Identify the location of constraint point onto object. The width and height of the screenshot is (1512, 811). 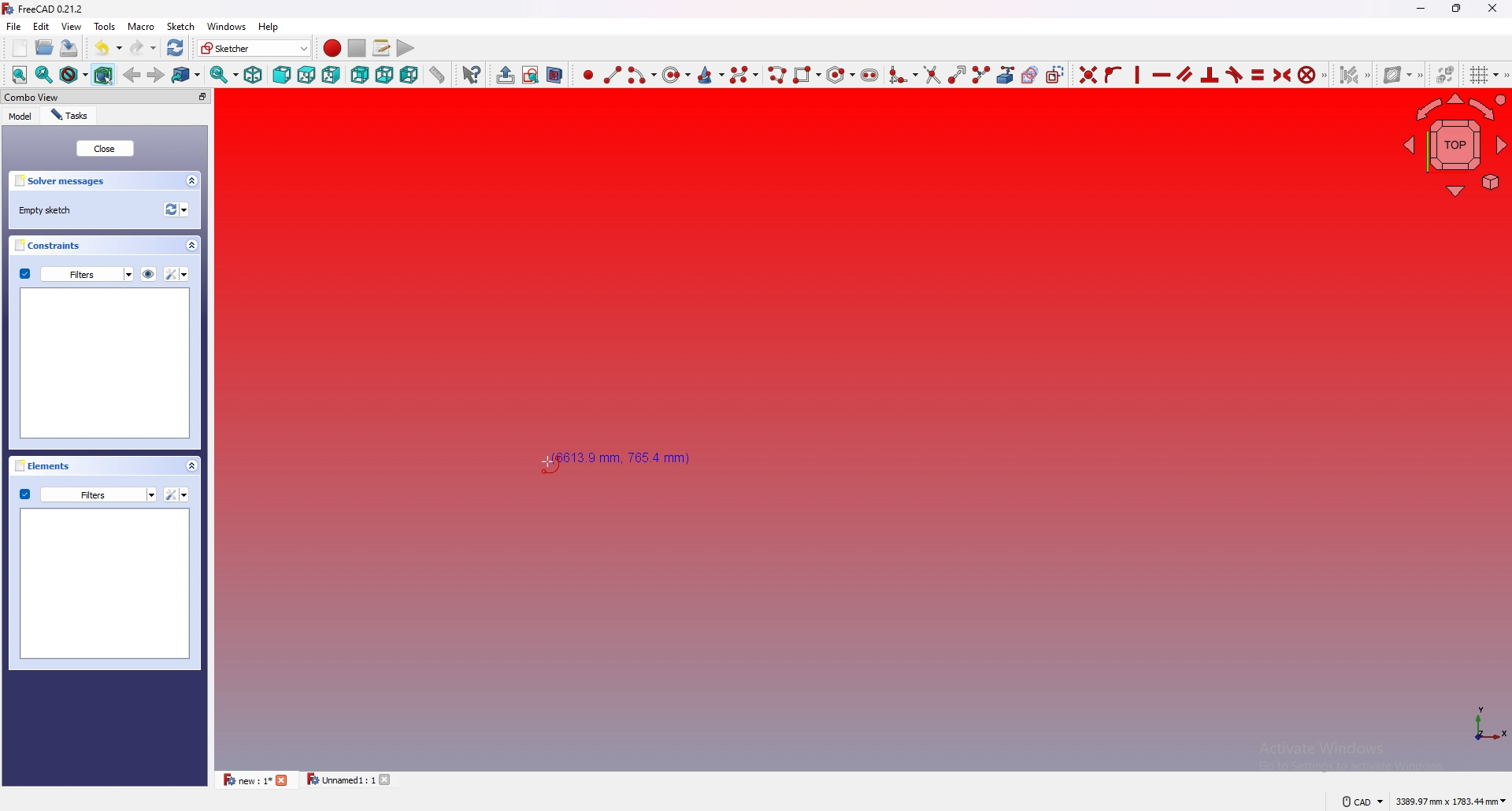
(1114, 75).